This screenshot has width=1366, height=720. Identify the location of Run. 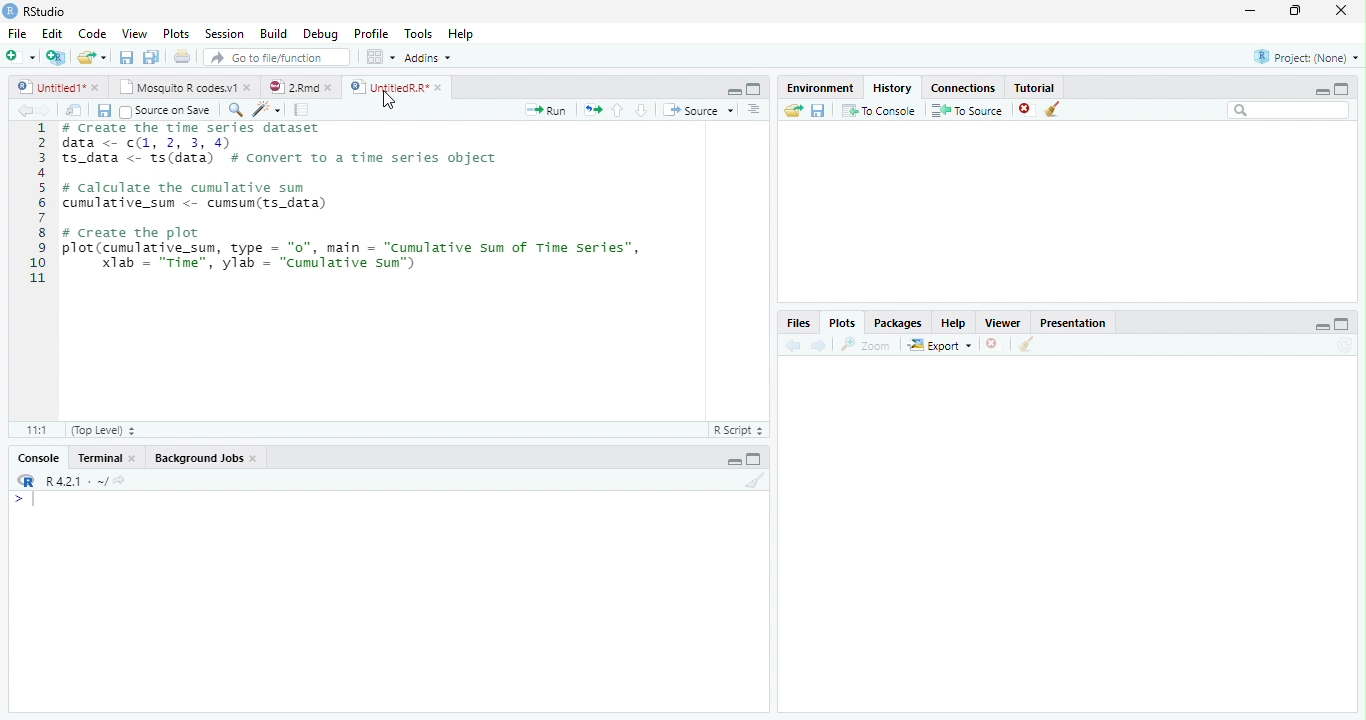
(543, 111).